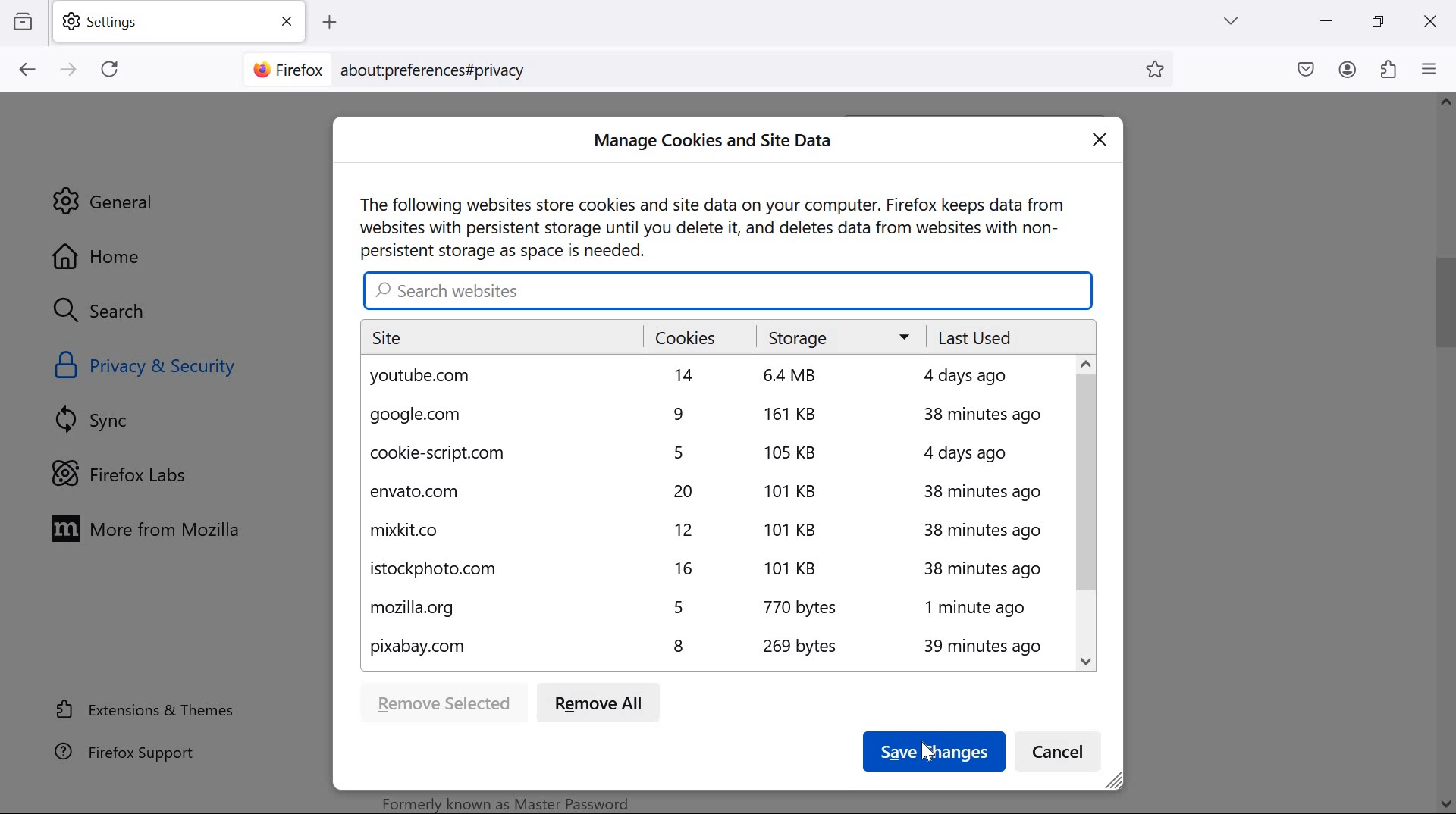 The image size is (1456, 814). Describe the element at coordinates (140, 255) in the screenshot. I see `Home` at that location.